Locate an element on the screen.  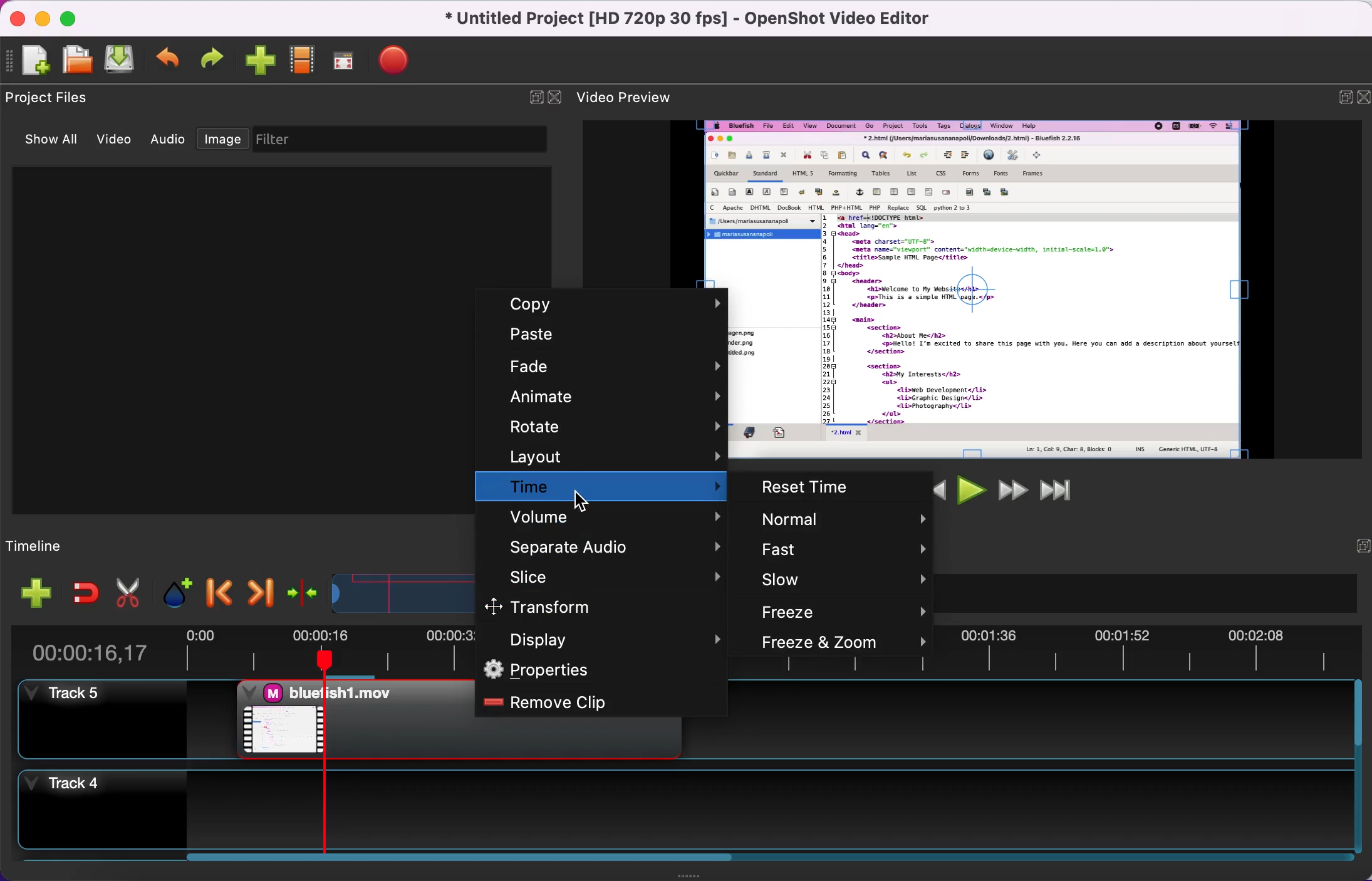
layout is located at coordinates (603, 456).